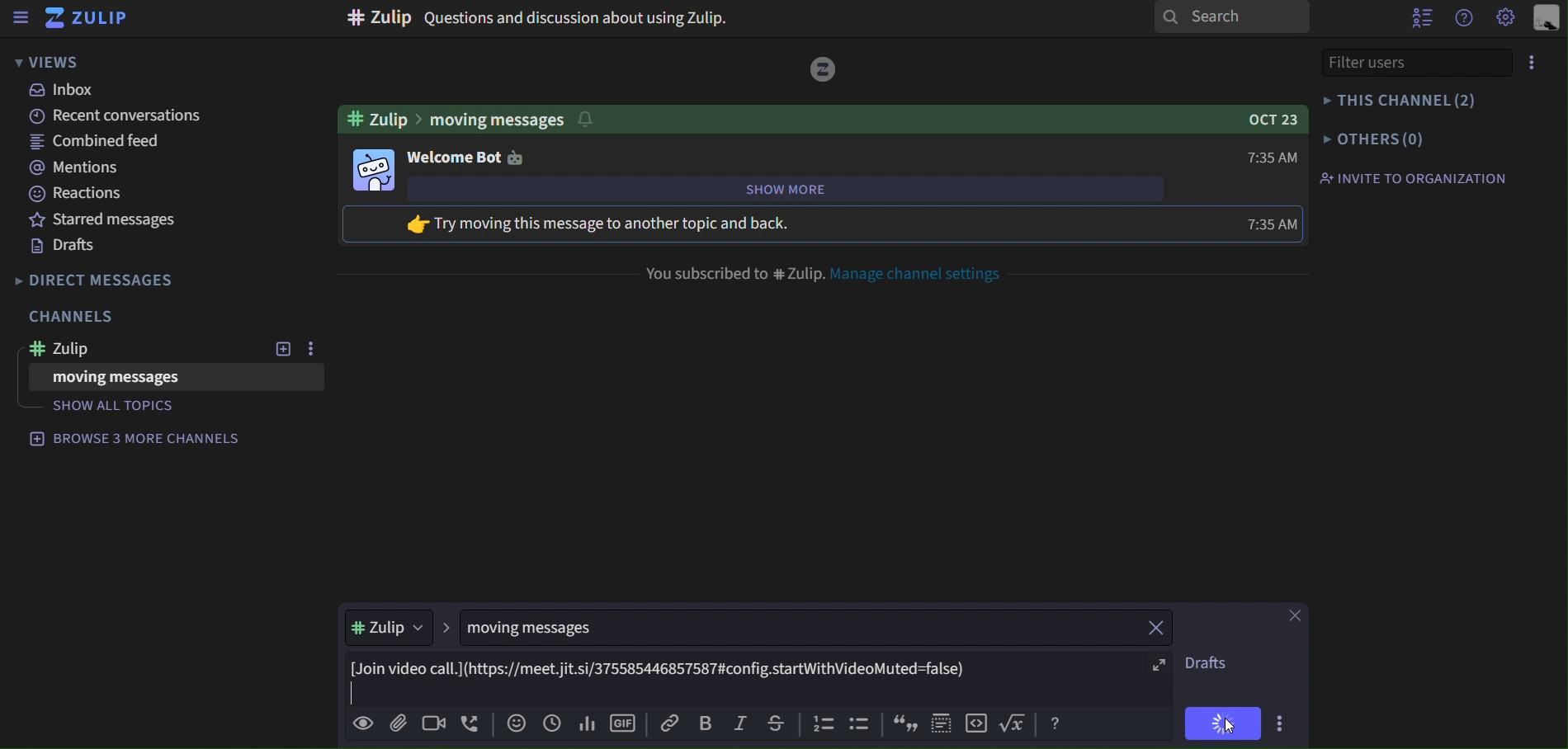 Image resolution: width=1568 pixels, height=749 pixels. Describe the element at coordinates (73, 318) in the screenshot. I see `channels` at that location.